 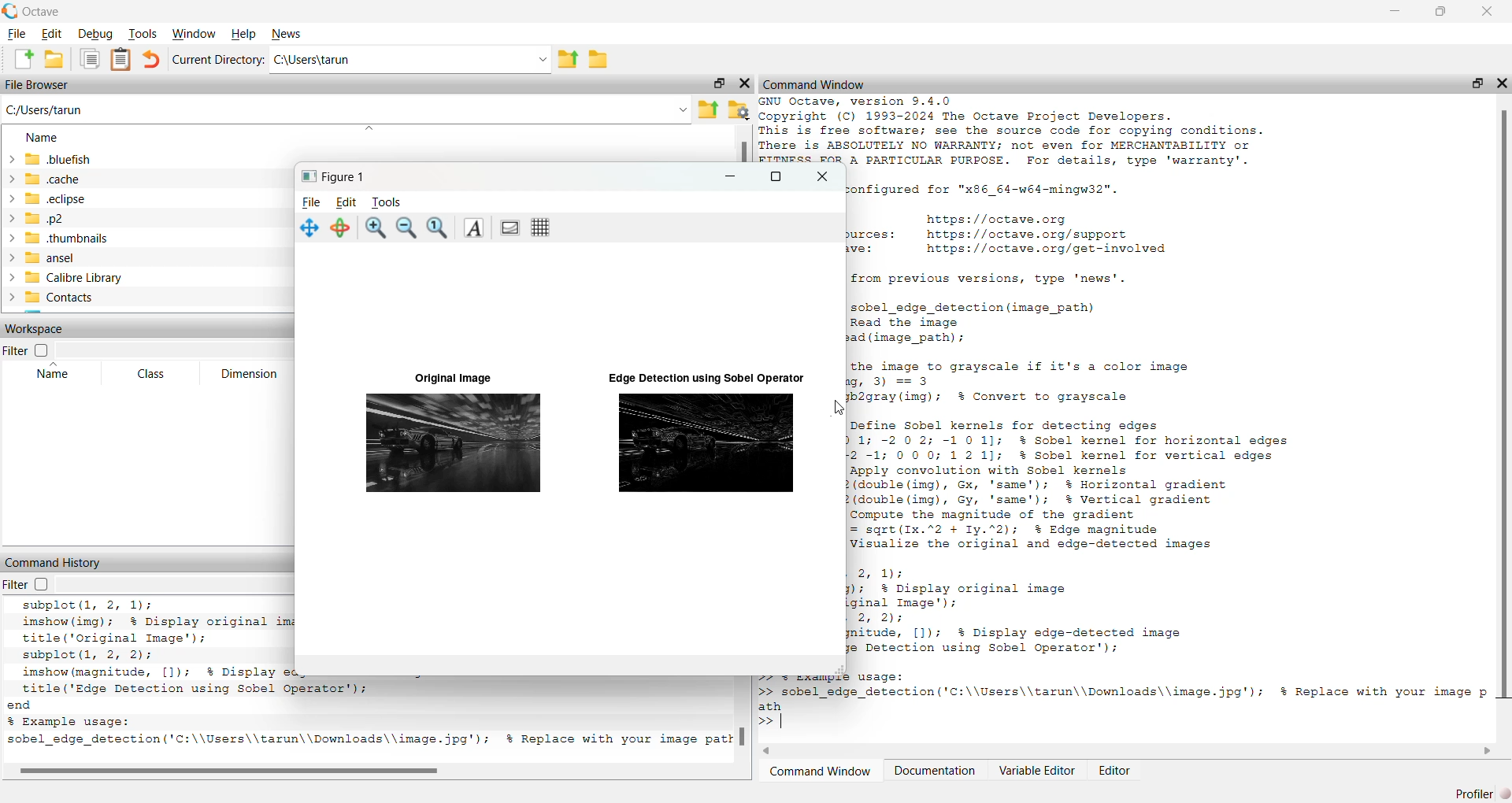 What do you see at coordinates (774, 180) in the screenshot?
I see `maximize` at bounding box center [774, 180].